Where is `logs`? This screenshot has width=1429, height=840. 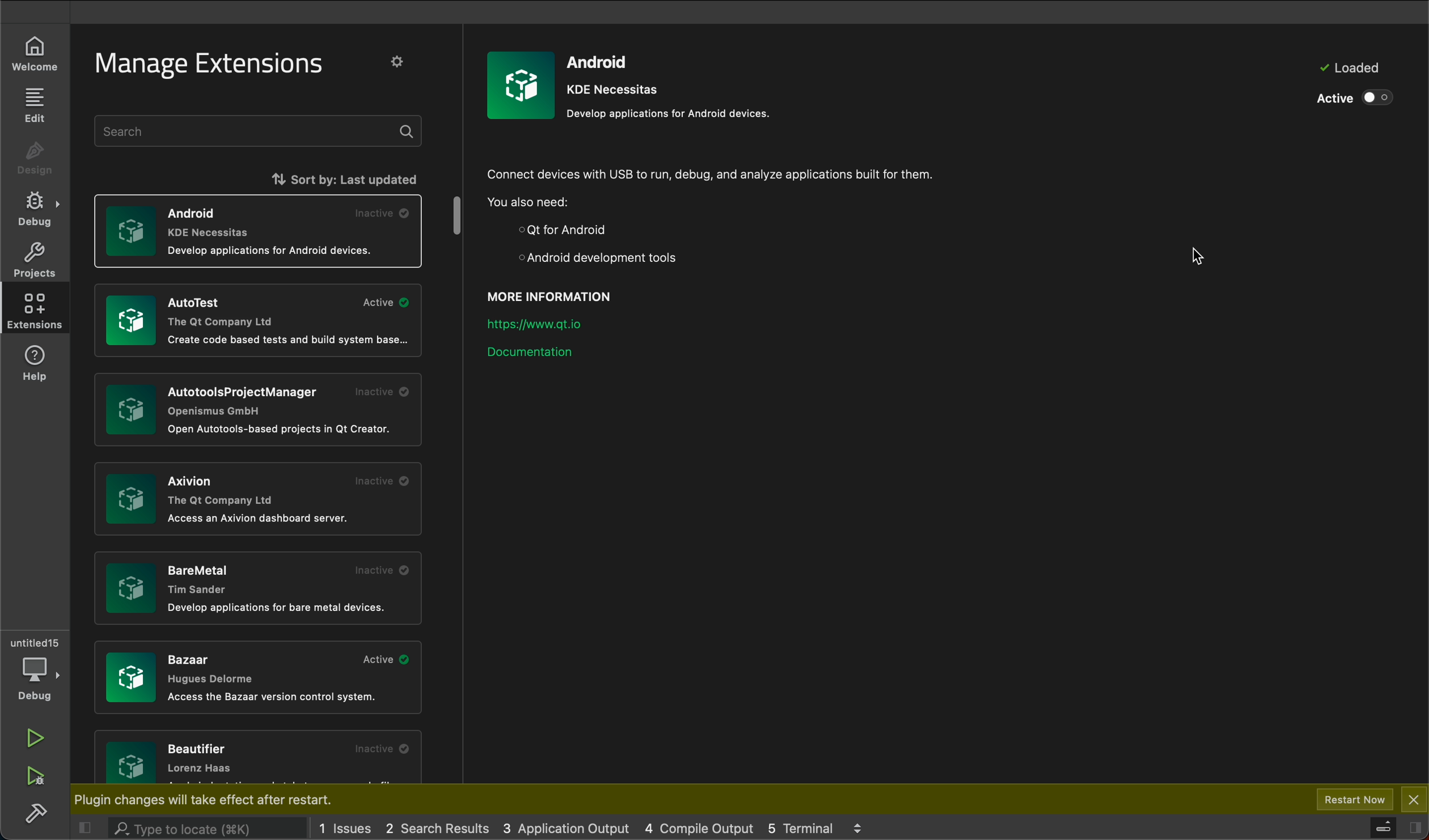
logs is located at coordinates (704, 827).